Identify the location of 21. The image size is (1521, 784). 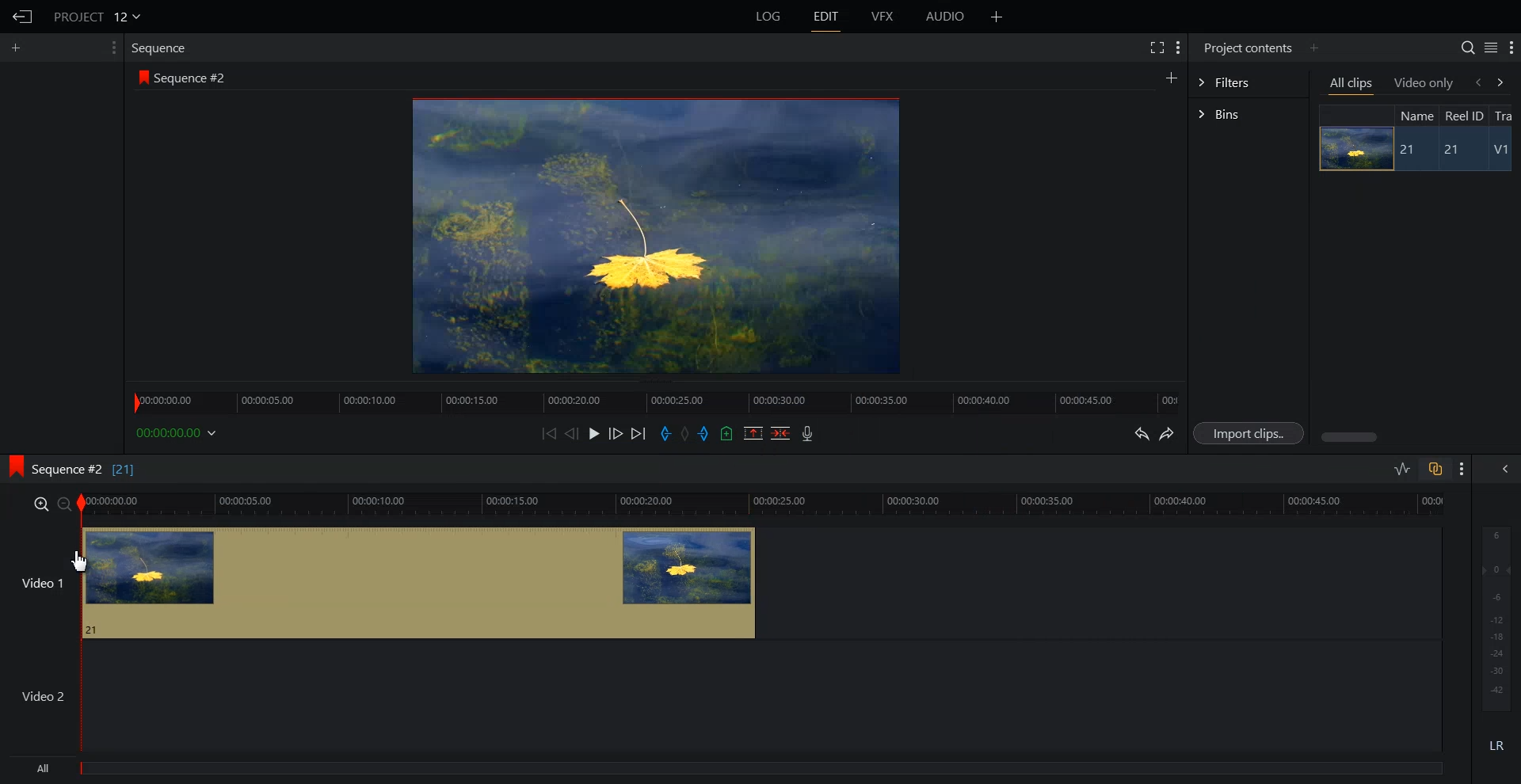
(1458, 150).